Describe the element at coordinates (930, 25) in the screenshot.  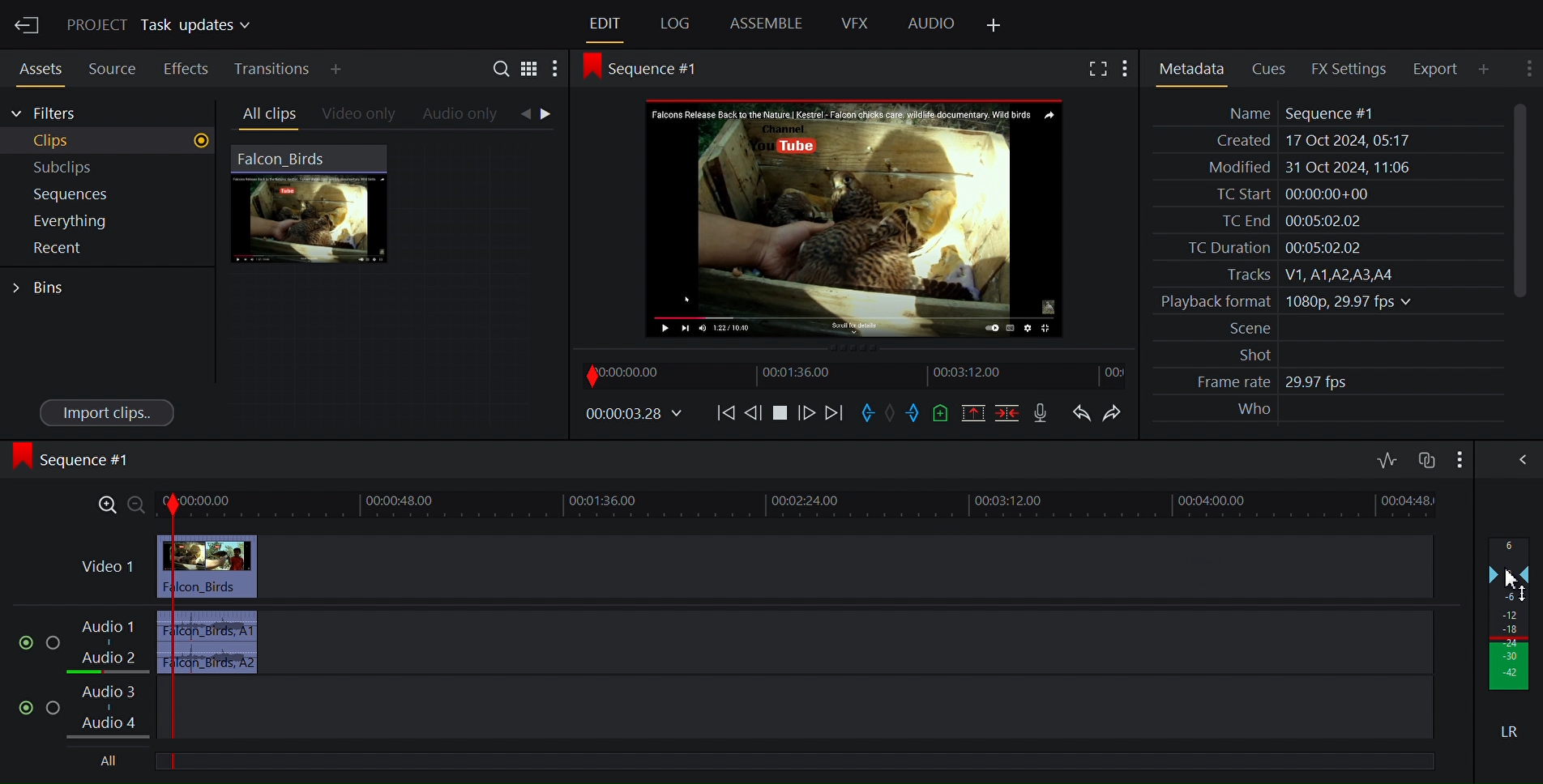
I see `Audio` at that location.